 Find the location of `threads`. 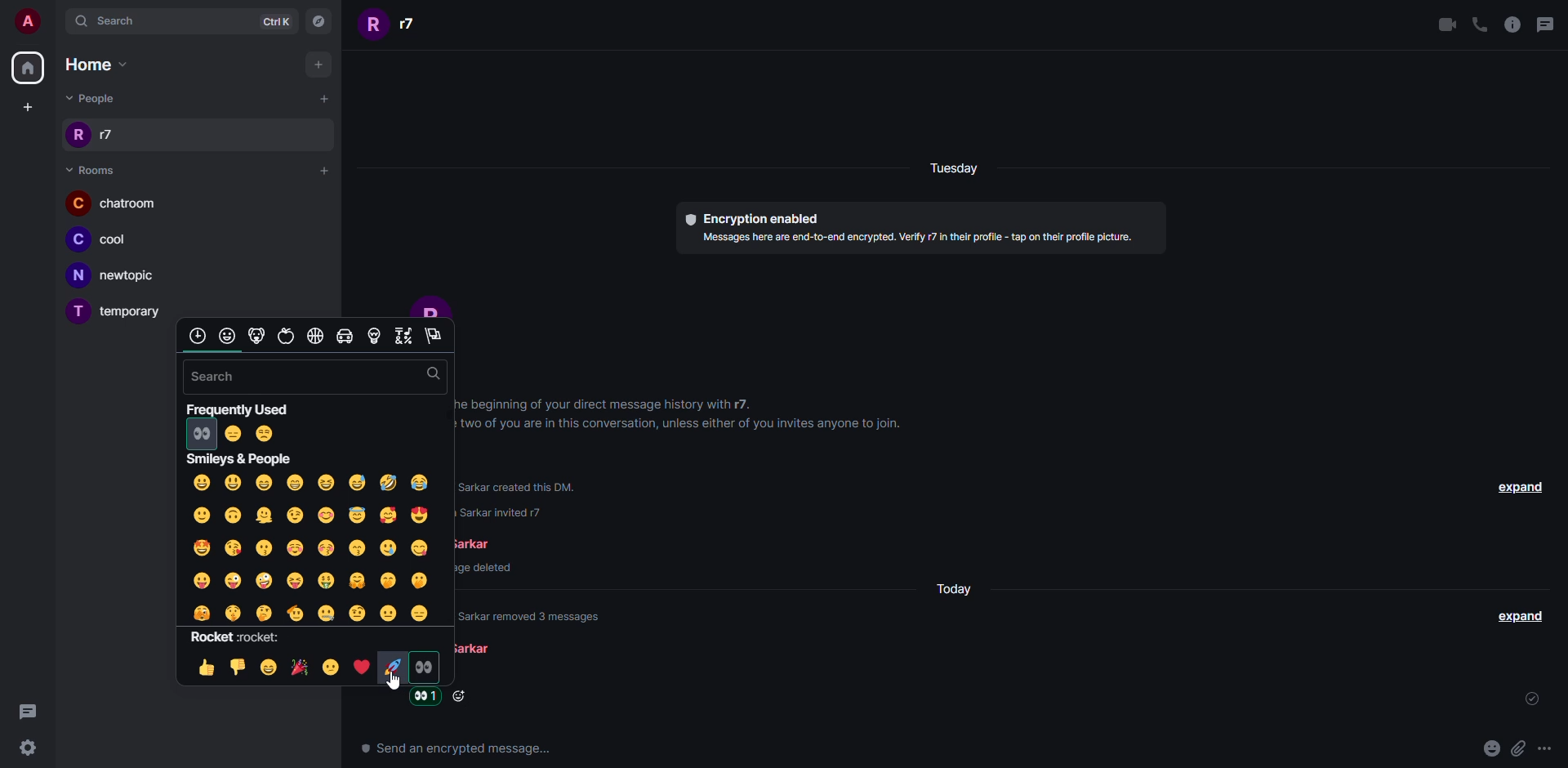

threads is located at coordinates (1549, 23).